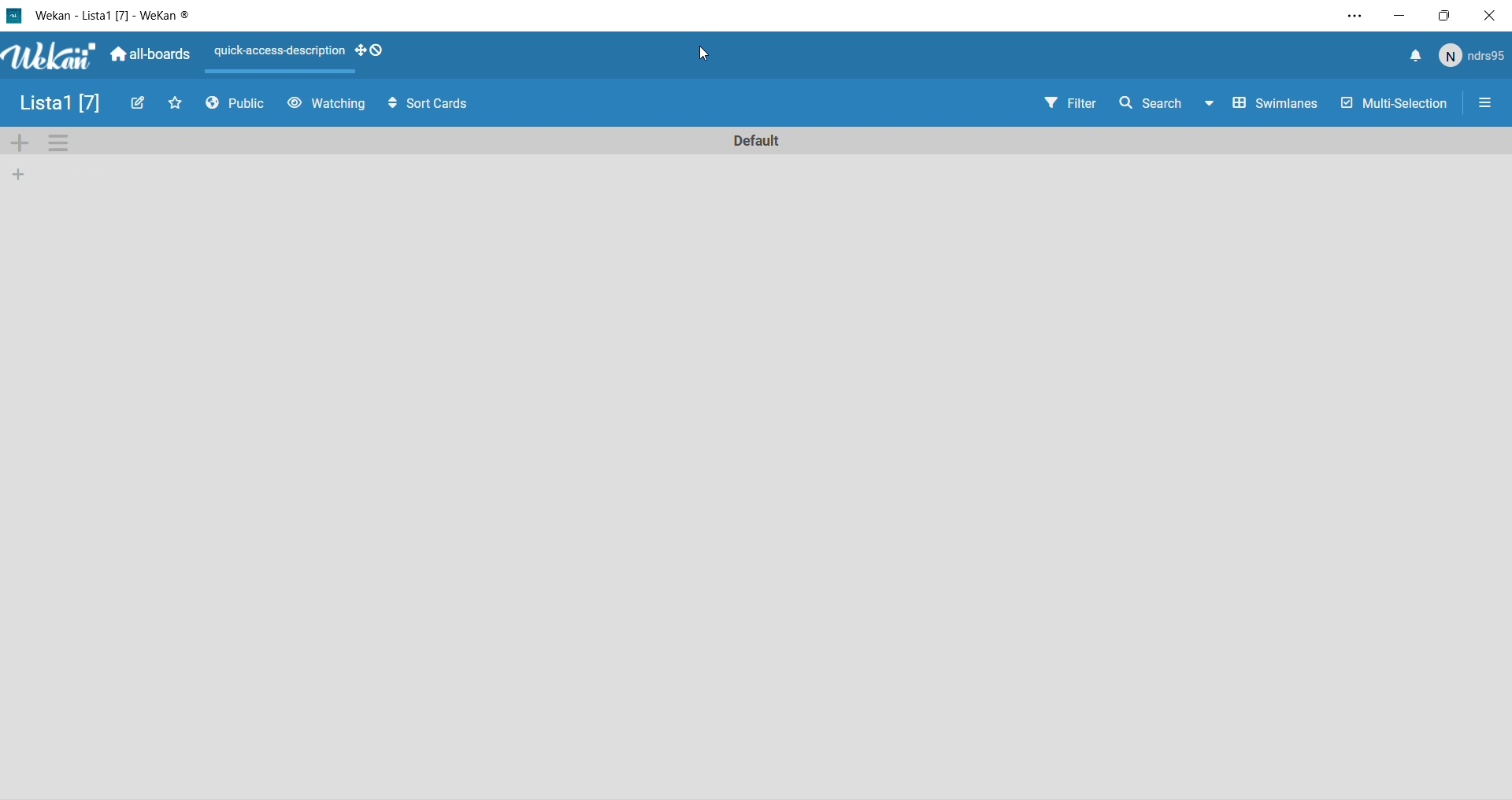 The image size is (1512, 800). I want to click on add, so click(18, 176).